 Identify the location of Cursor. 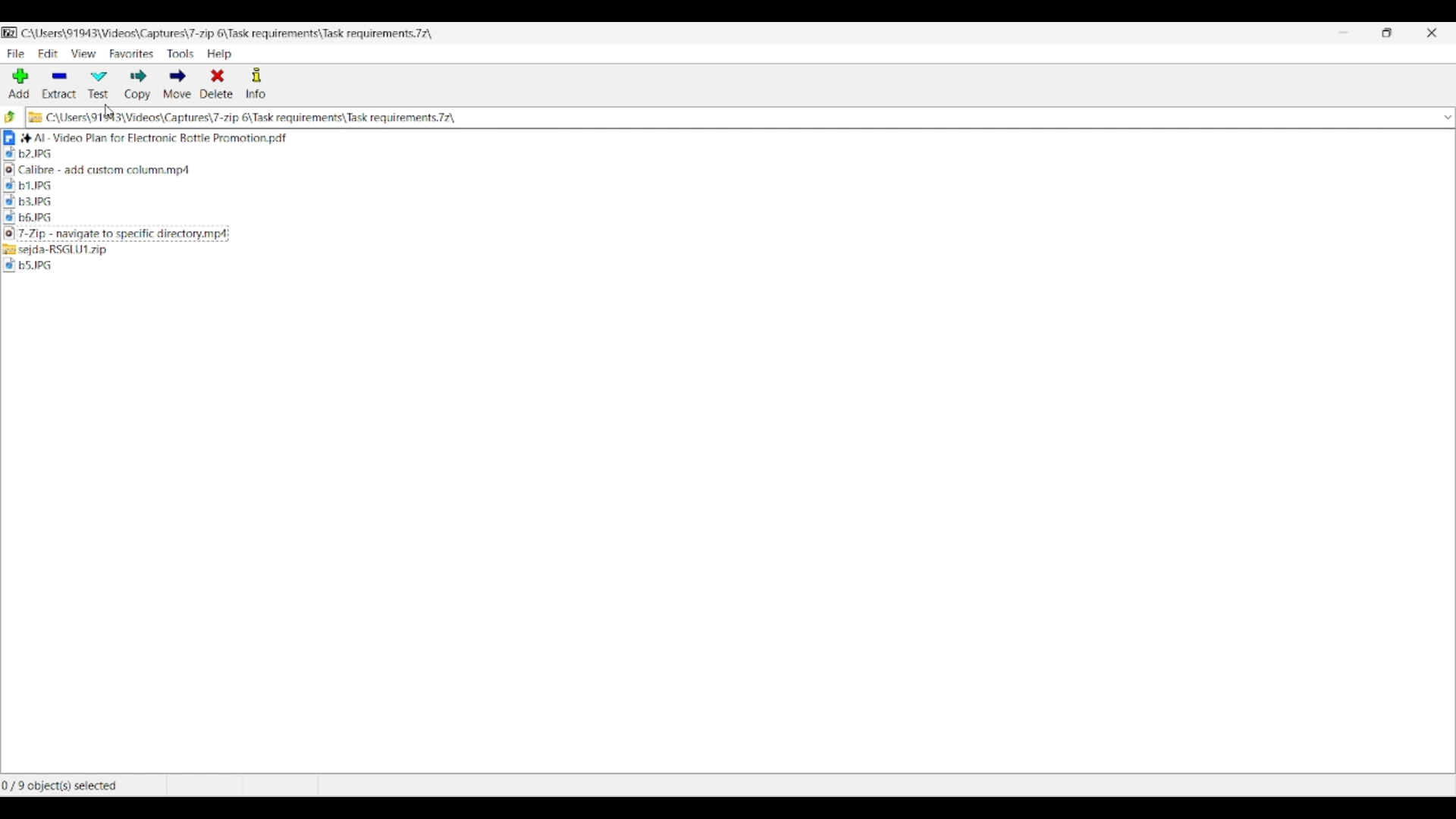
(112, 113).